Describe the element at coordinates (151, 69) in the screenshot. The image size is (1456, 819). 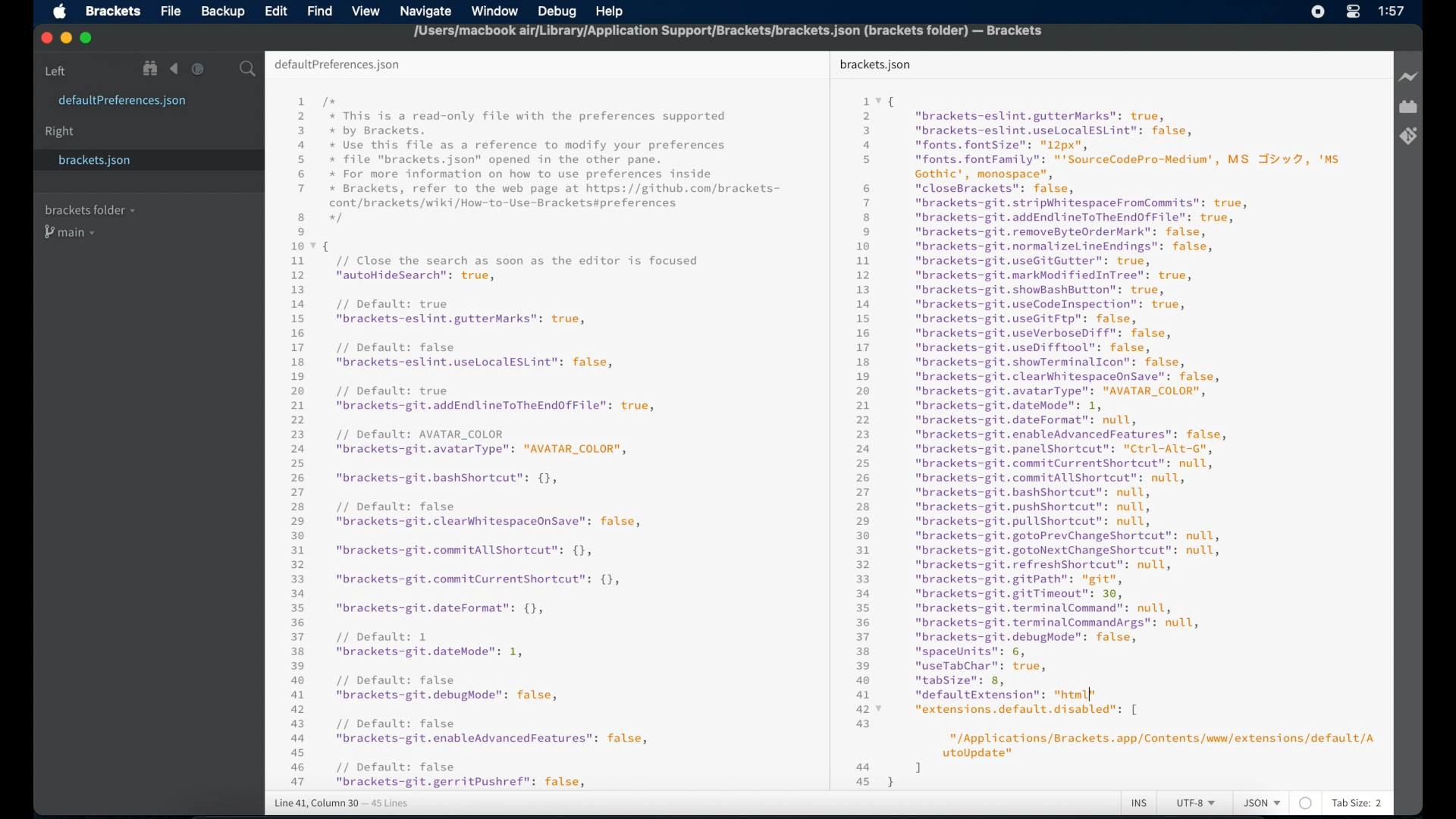
I see `show file in tree` at that location.